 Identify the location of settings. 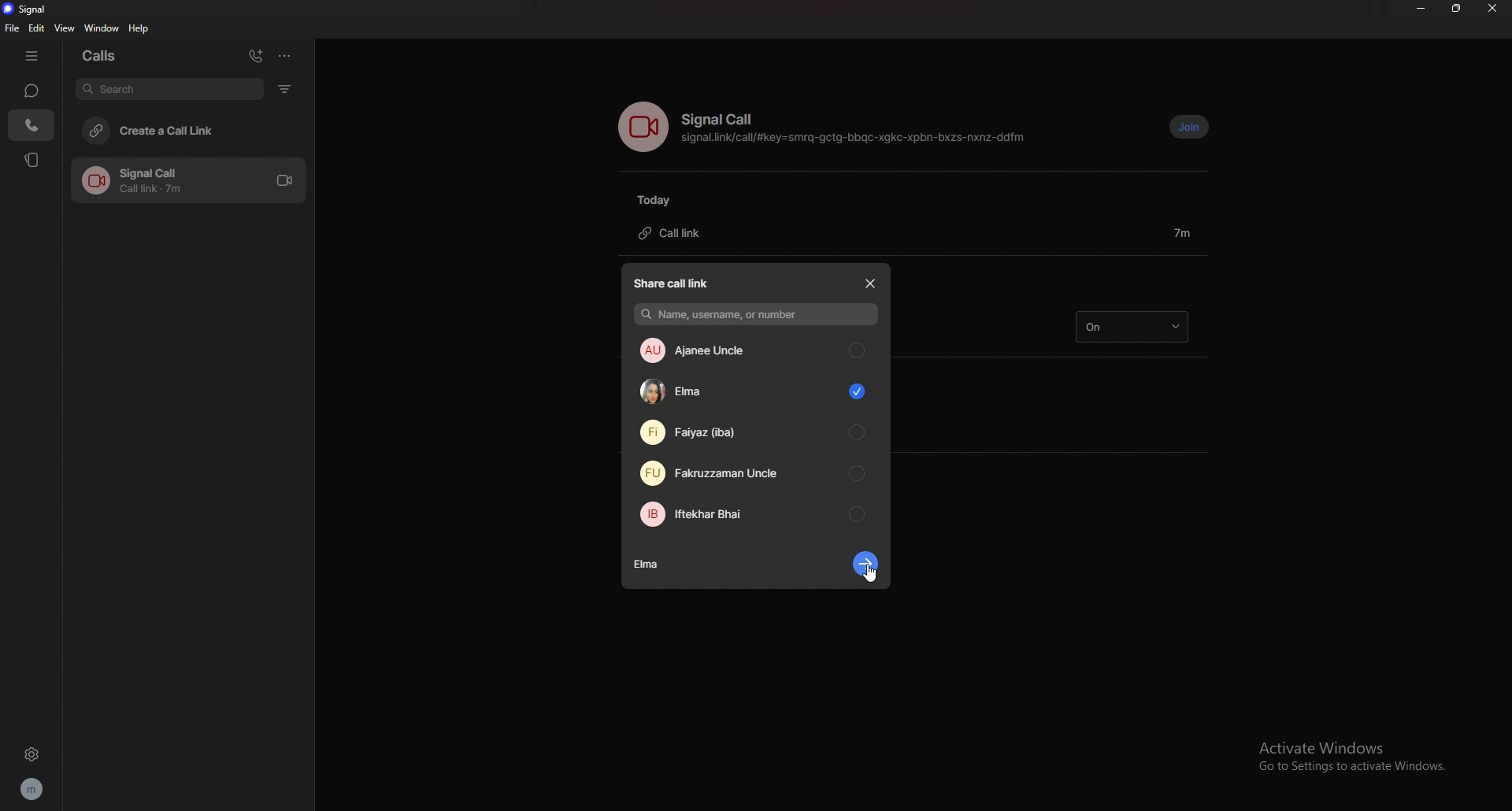
(31, 754).